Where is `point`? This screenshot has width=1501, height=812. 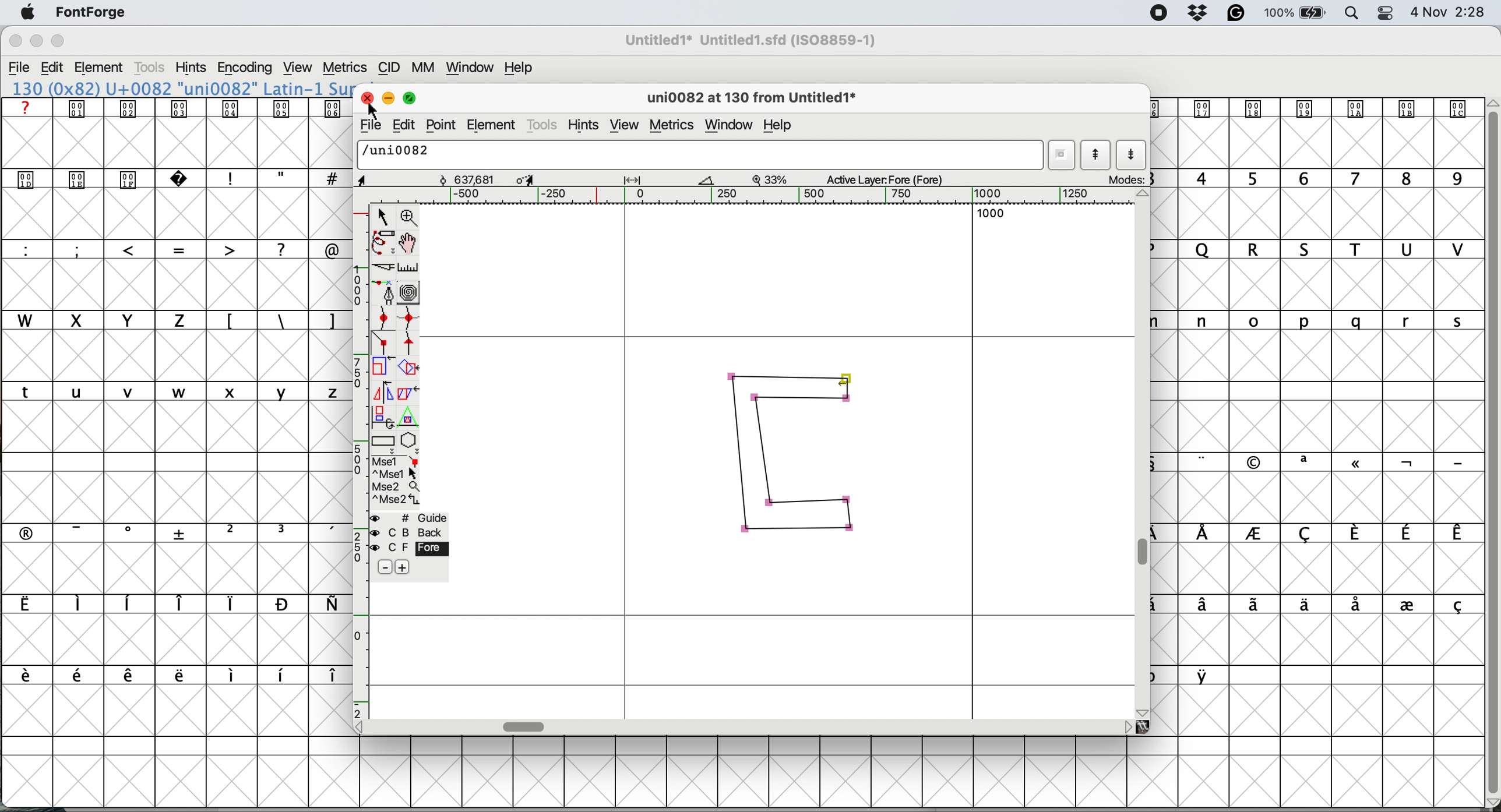
point is located at coordinates (442, 125).